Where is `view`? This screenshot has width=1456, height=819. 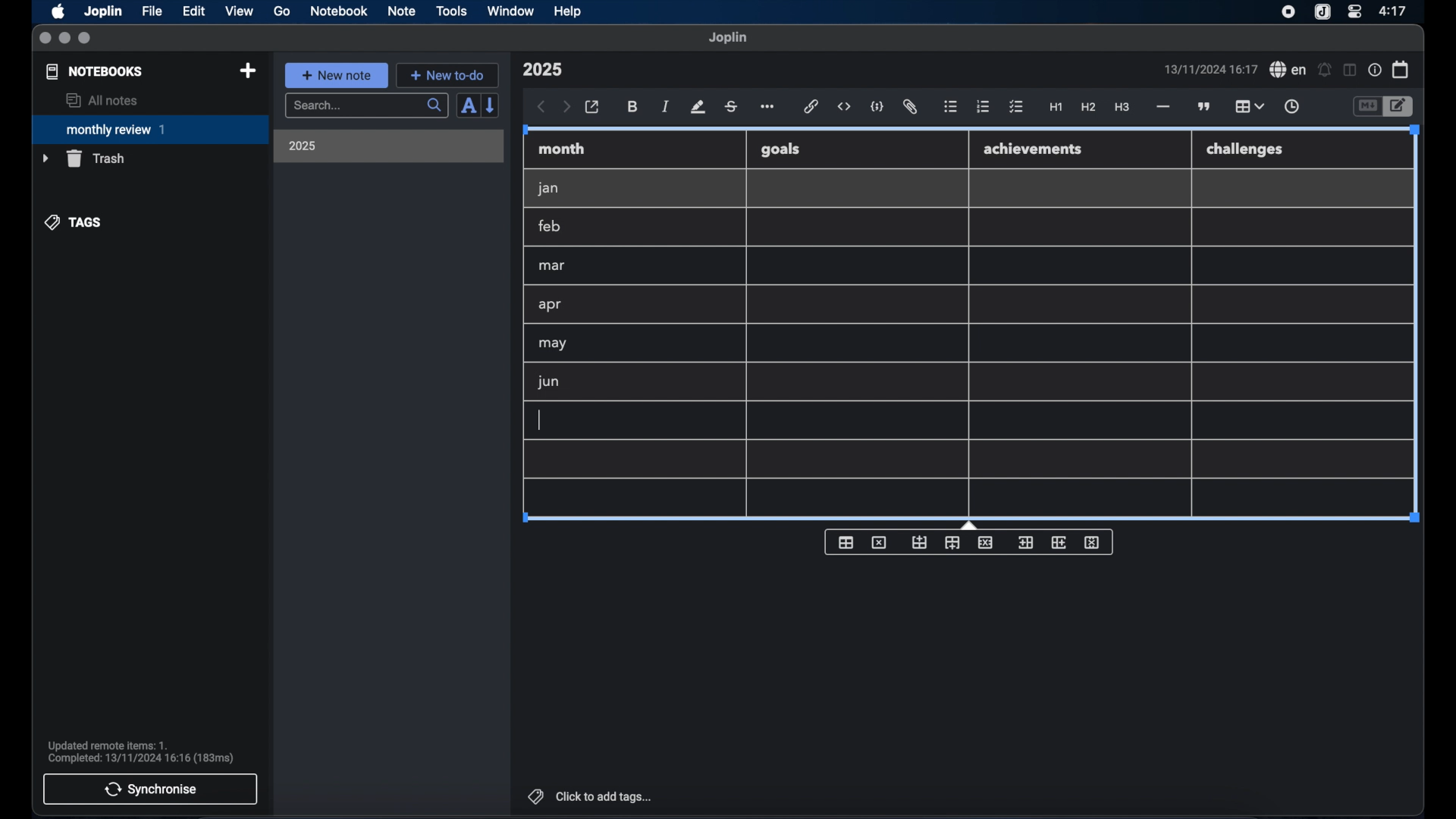
view is located at coordinates (239, 11).